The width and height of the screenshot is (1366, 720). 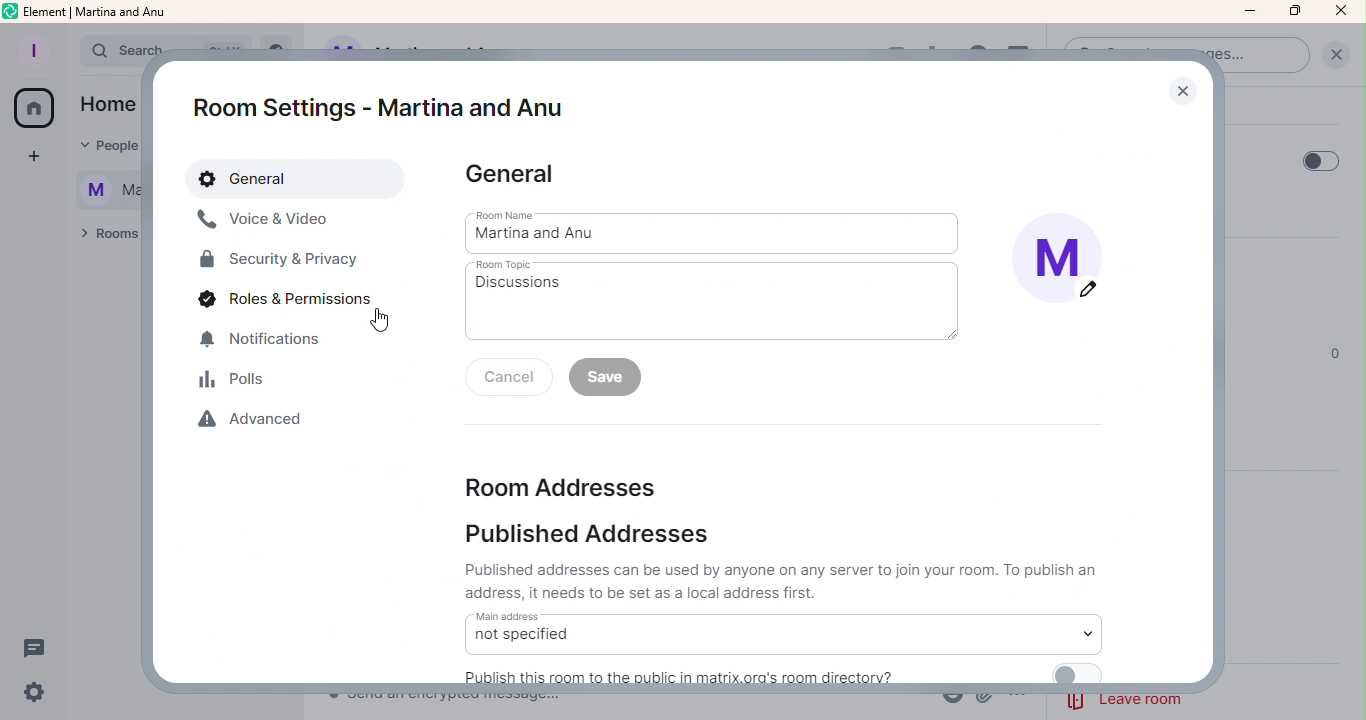 What do you see at coordinates (606, 381) in the screenshot?
I see `Save` at bounding box center [606, 381].